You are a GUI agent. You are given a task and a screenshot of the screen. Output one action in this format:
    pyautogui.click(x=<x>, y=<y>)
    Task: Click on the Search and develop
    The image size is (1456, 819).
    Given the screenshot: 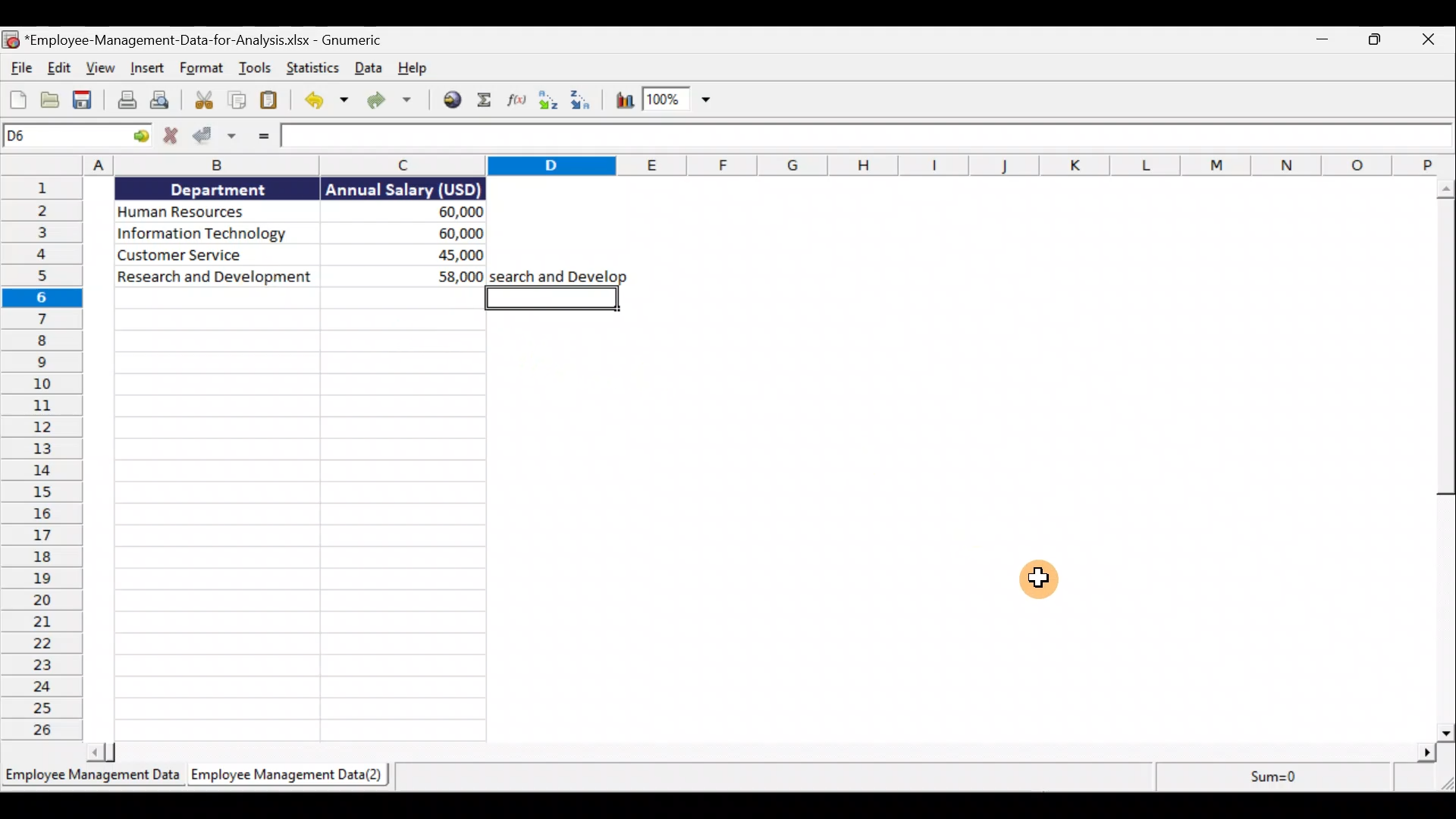 What is the action you would take?
    pyautogui.click(x=558, y=275)
    